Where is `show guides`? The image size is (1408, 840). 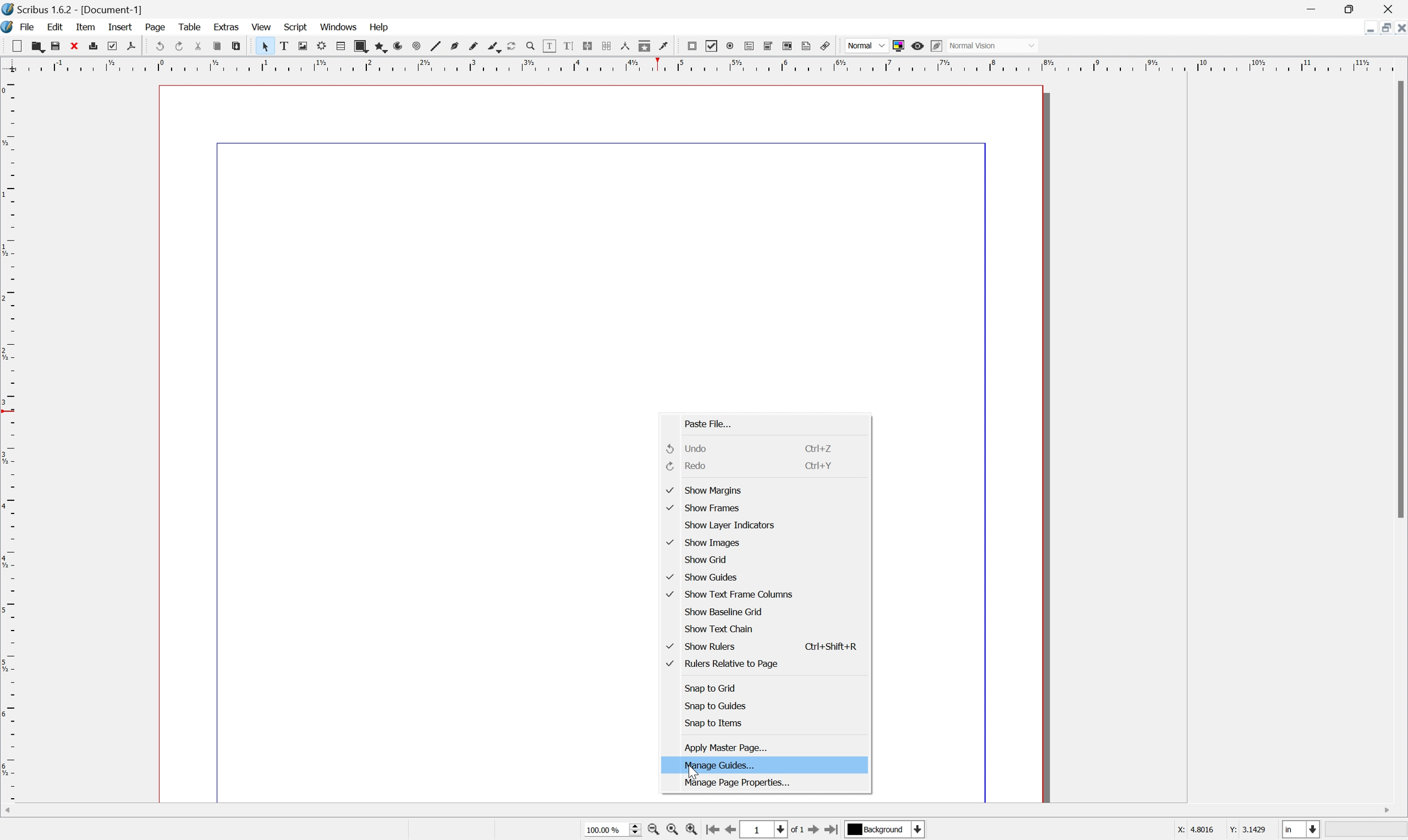 show guides is located at coordinates (704, 577).